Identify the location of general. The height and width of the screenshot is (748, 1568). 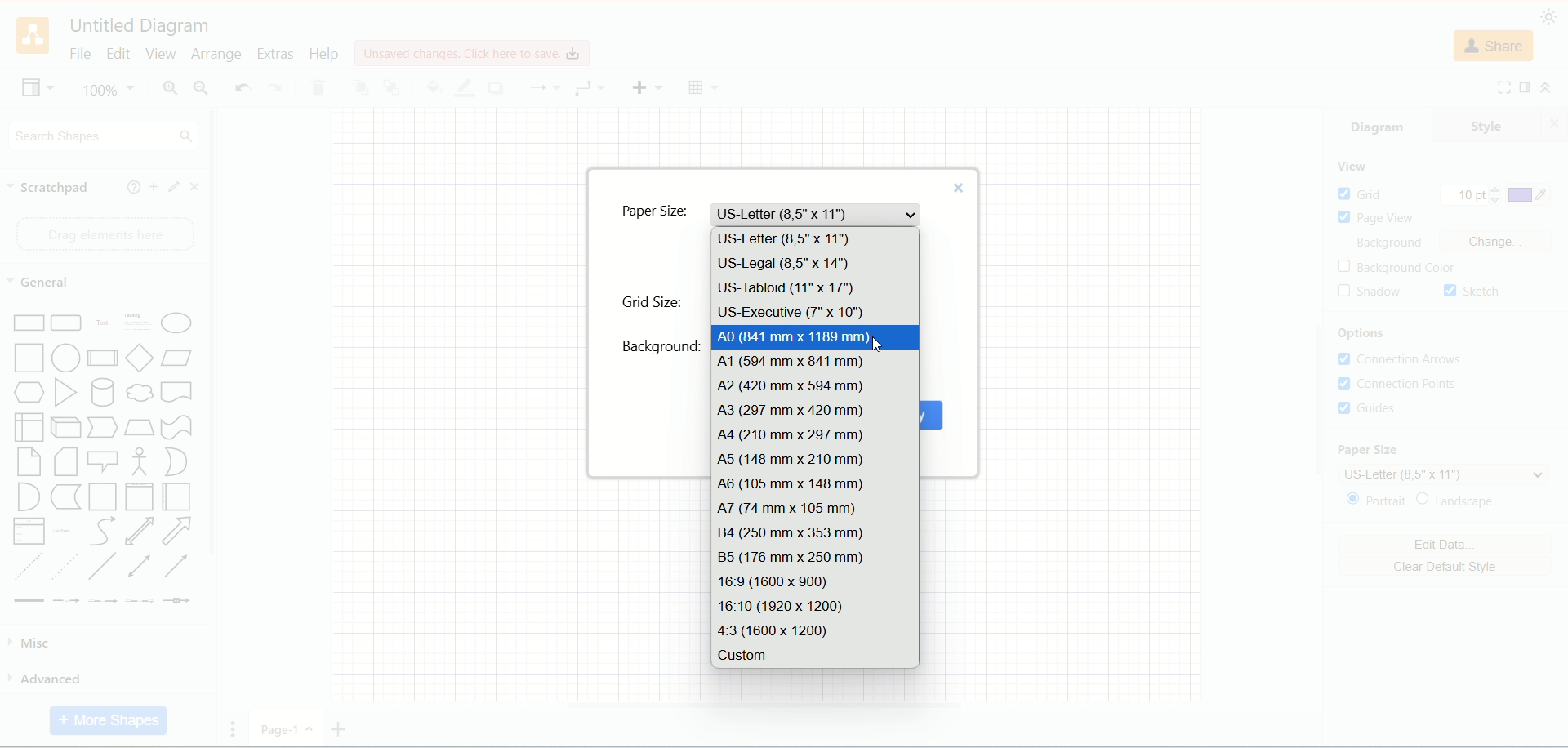
(42, 283).